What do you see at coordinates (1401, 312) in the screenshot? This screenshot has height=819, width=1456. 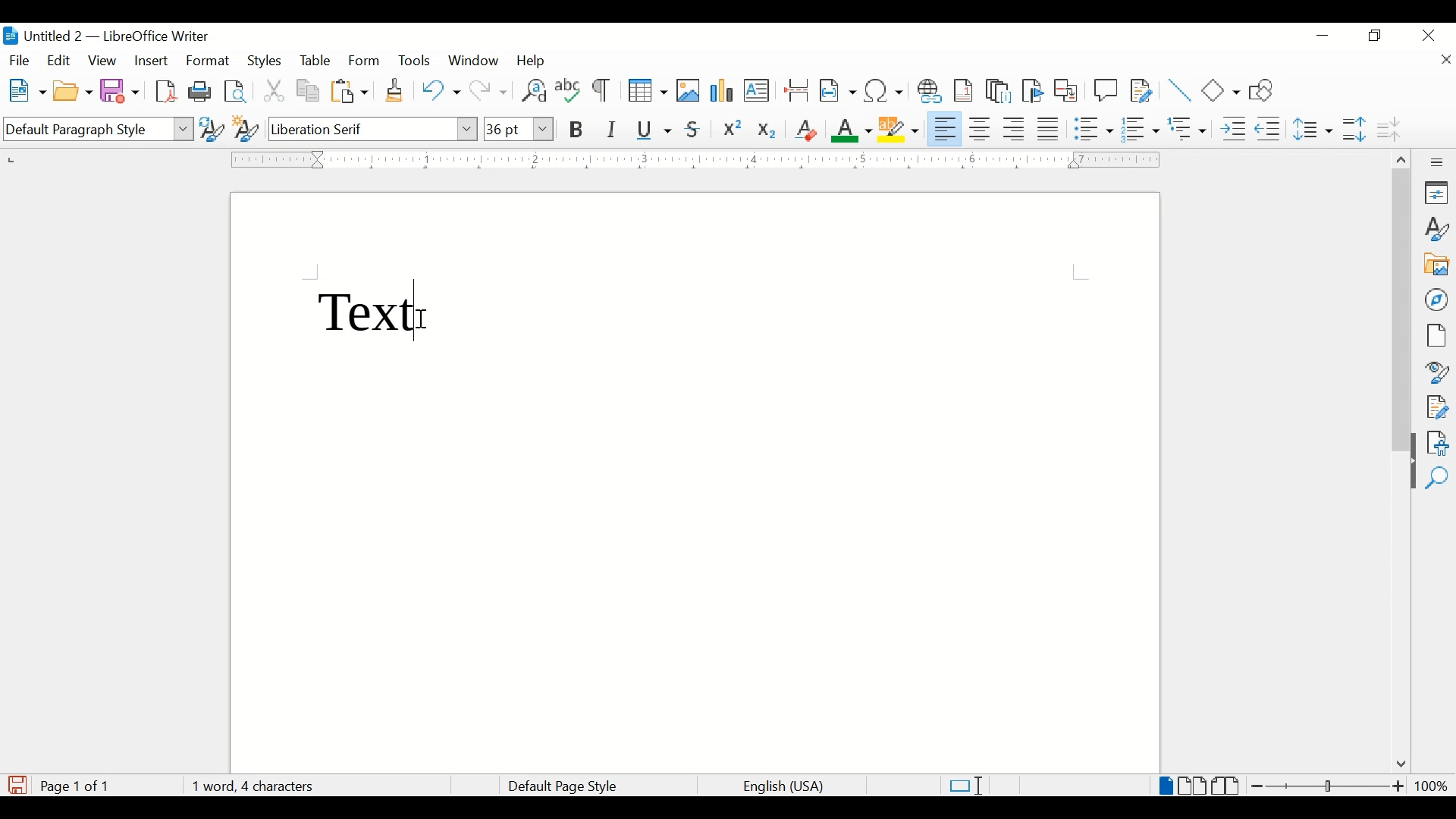 I see `scroll box` at bounding box center [1401, 312].